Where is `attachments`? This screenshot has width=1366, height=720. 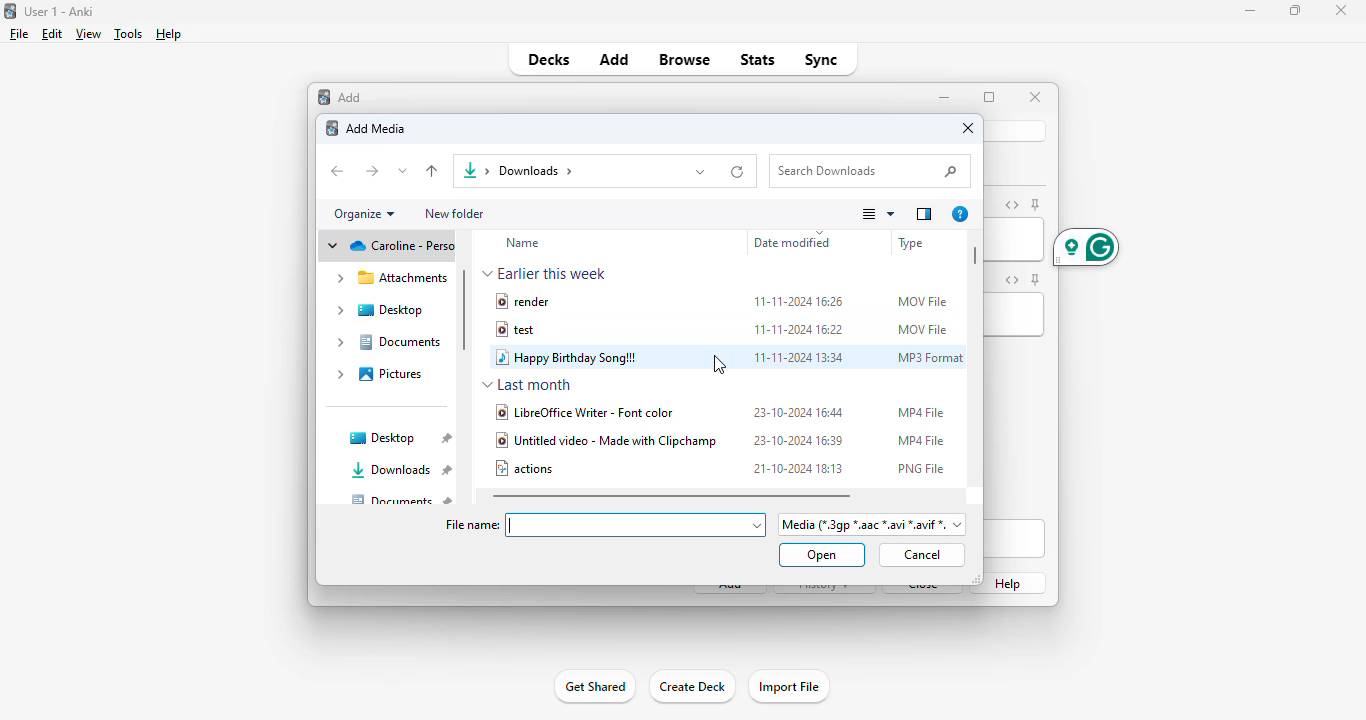
attachments is located at coordinates (389, 277).